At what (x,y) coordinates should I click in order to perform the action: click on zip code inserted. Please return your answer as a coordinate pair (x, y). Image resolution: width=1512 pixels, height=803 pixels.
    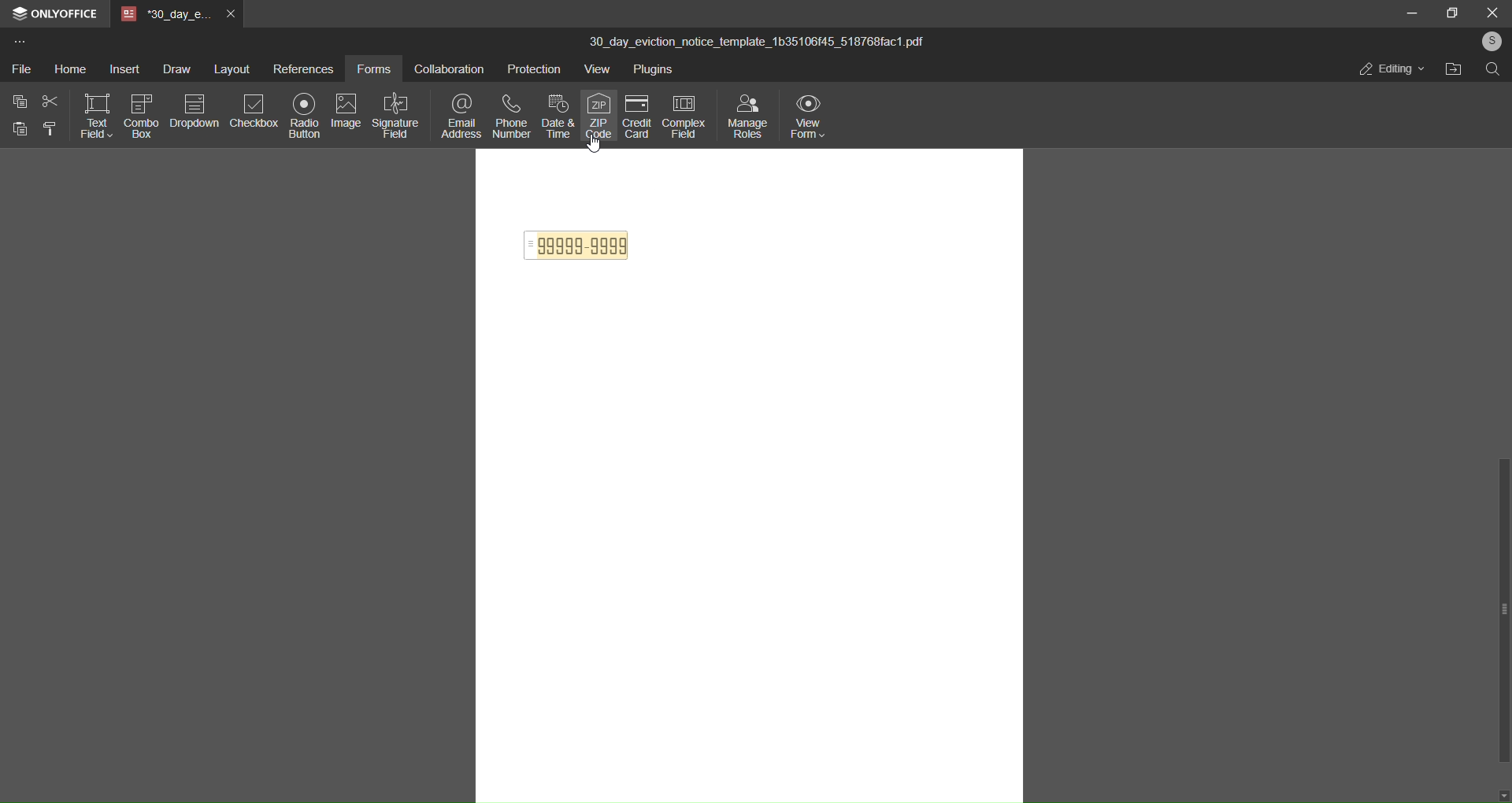
    Looking at the image, I should click on (580, 243).